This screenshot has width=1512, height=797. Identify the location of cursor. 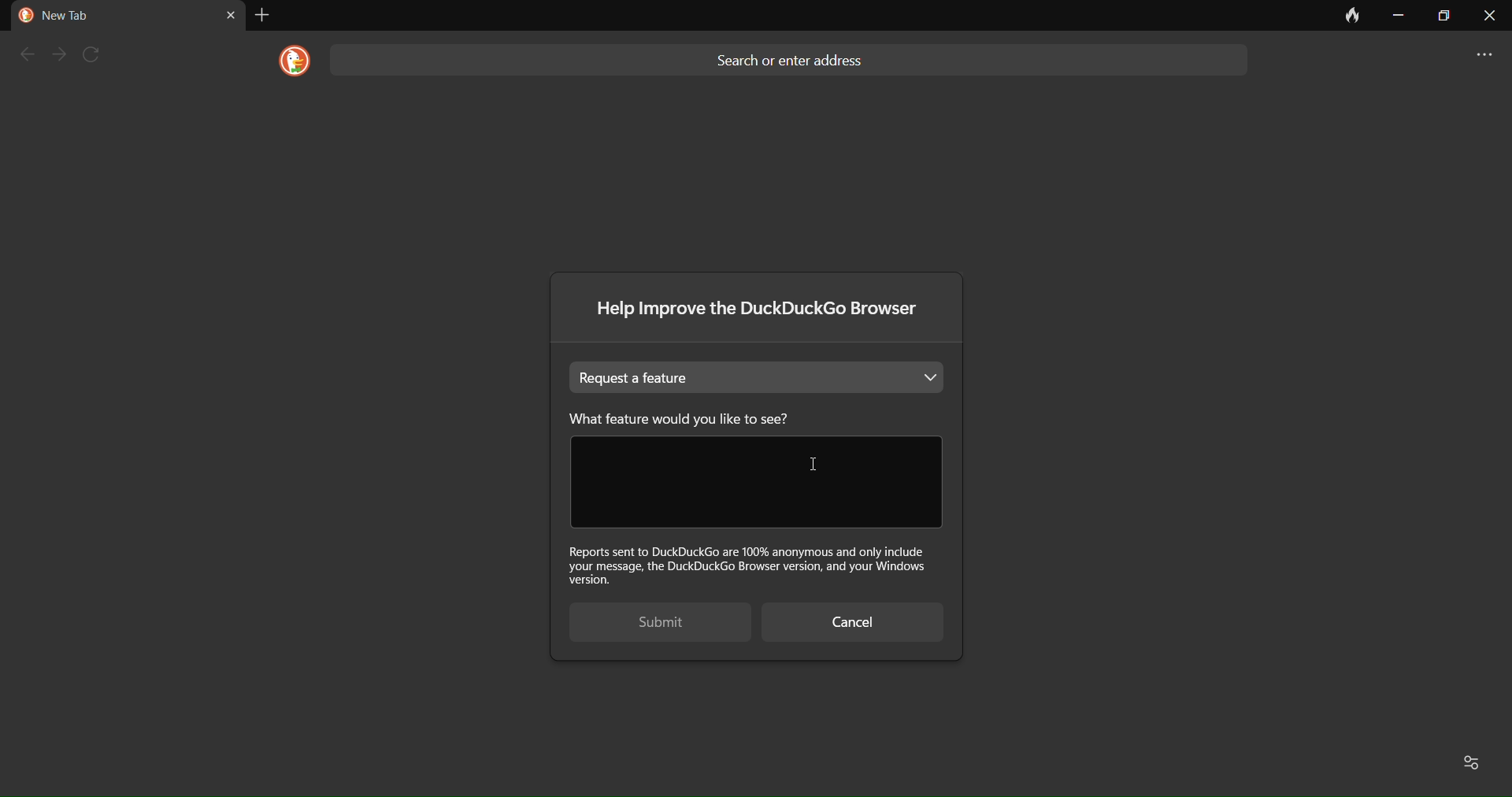
(813, 465).